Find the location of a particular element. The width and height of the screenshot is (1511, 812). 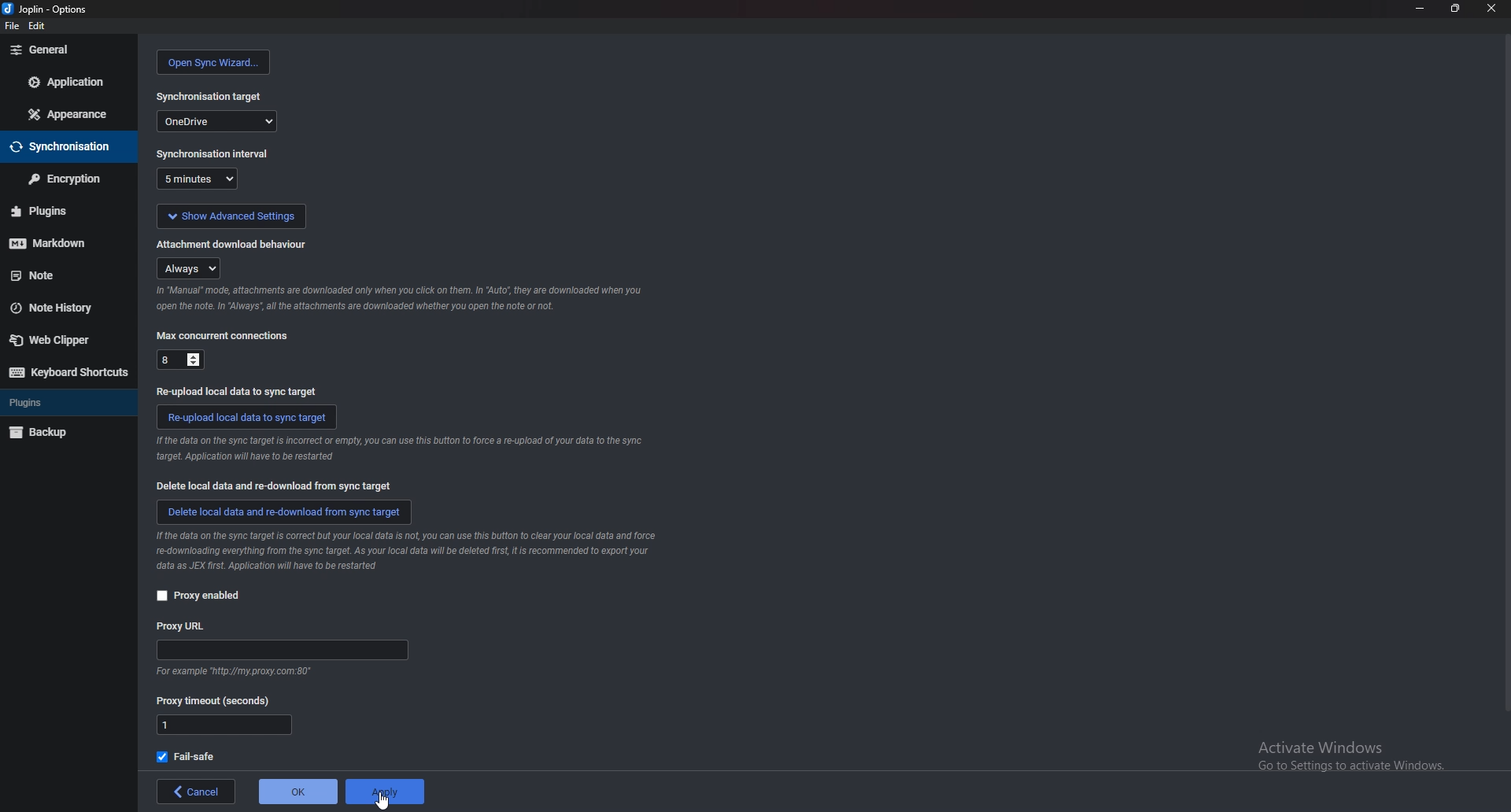

resize is located at coordinates (1455, 8).